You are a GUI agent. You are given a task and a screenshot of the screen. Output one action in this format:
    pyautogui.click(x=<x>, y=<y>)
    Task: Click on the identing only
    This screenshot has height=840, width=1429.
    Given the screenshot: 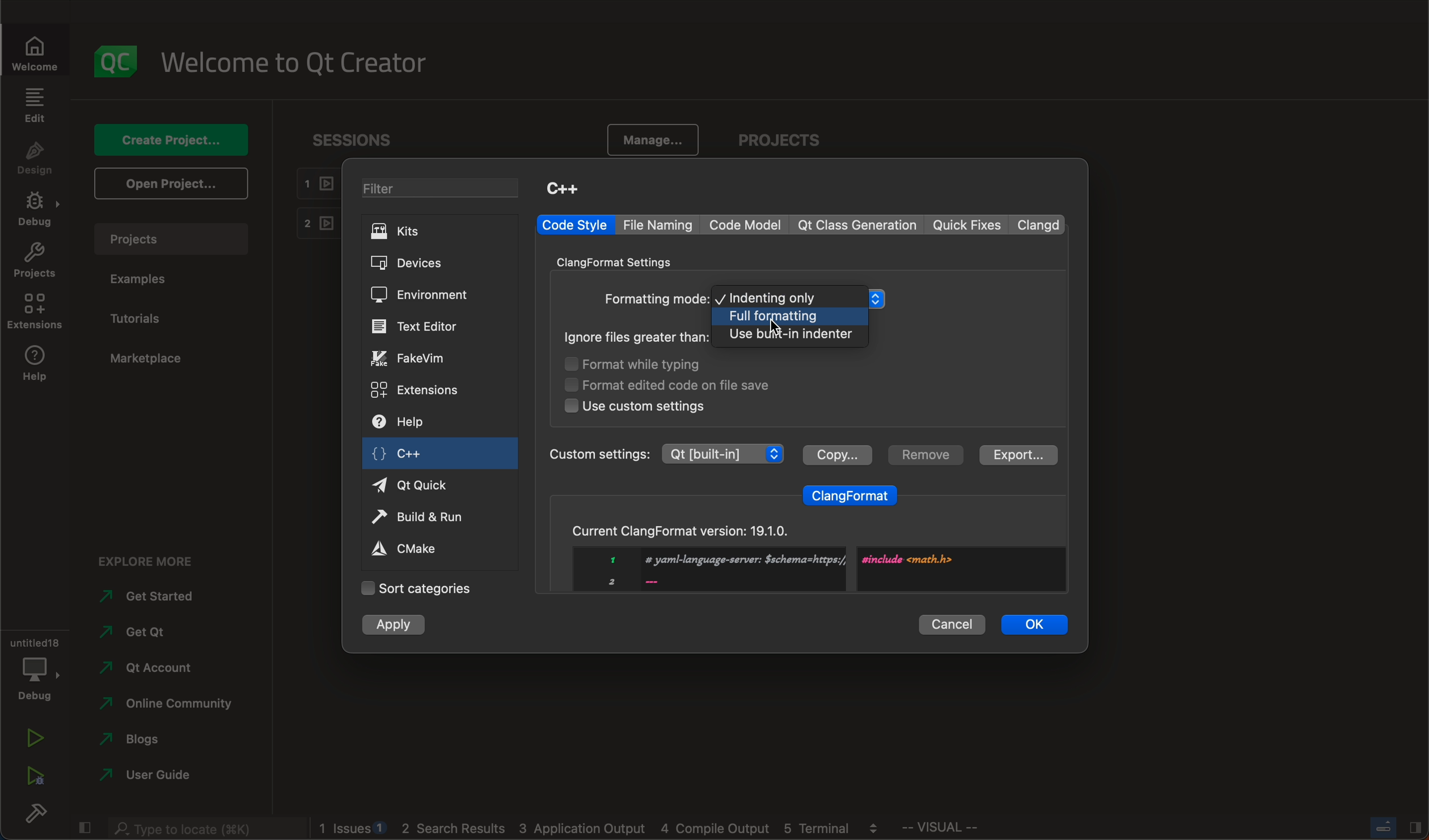 What is the action you would take?
    pyautogui.click(x=801, y=298)
    